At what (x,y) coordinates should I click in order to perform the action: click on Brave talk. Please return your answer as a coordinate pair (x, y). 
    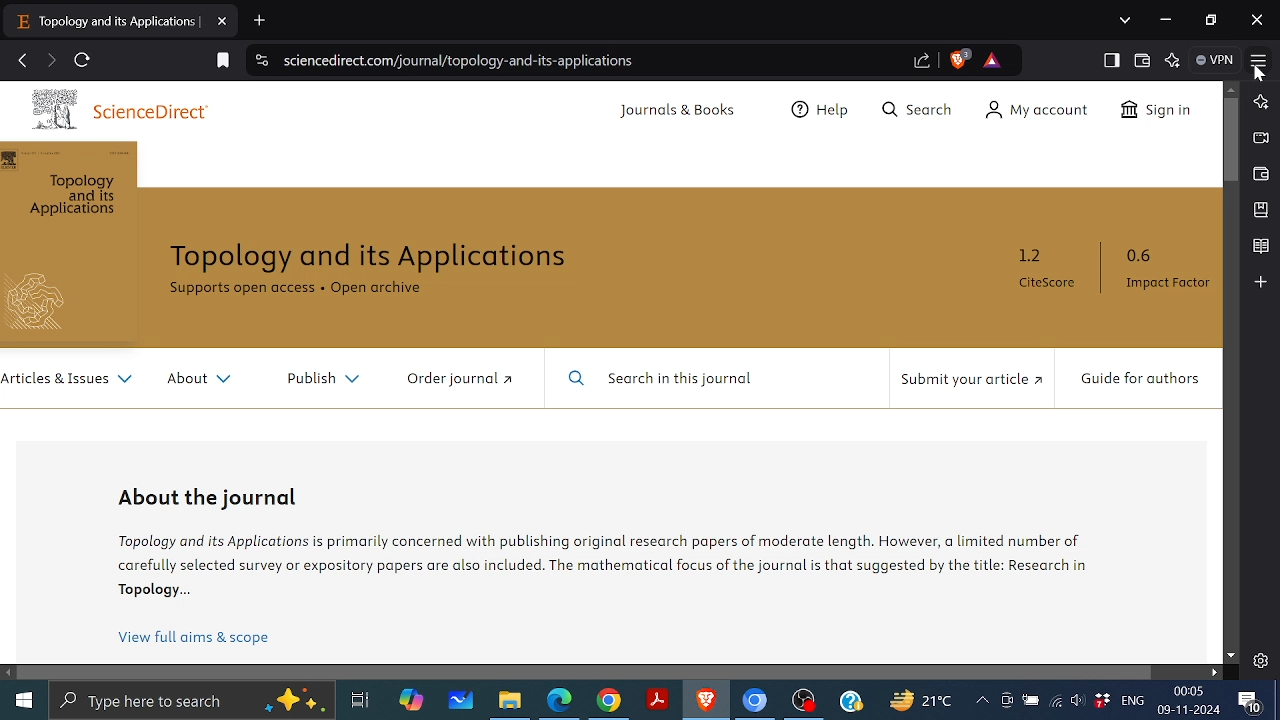
    Looking at the image, I should click on (1263, 137).